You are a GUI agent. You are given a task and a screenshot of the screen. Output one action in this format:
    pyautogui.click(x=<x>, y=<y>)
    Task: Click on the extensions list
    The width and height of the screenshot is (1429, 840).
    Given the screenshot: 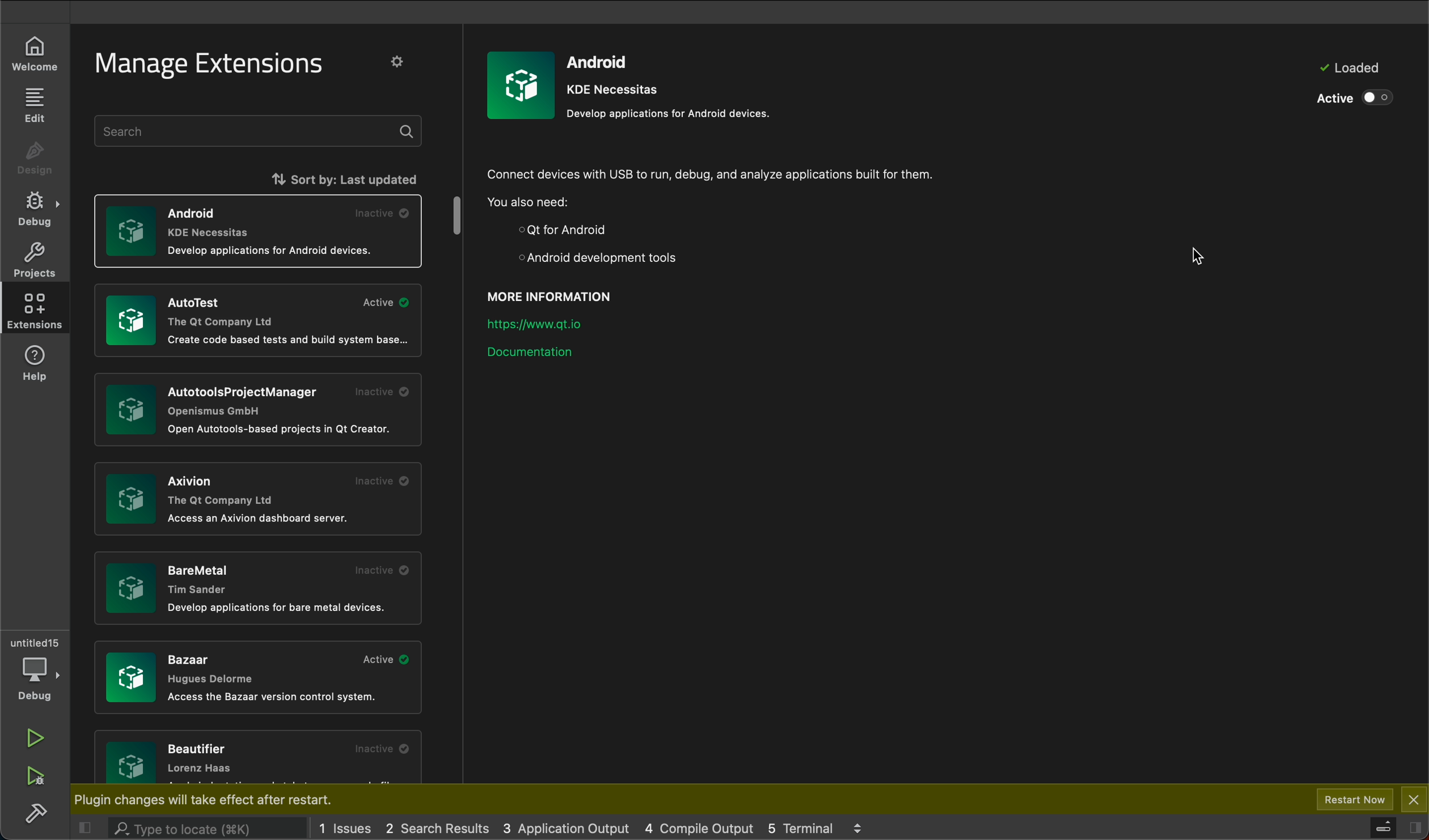 What is the action you would take?
    pyautogui.click(x=256, y=586)
    